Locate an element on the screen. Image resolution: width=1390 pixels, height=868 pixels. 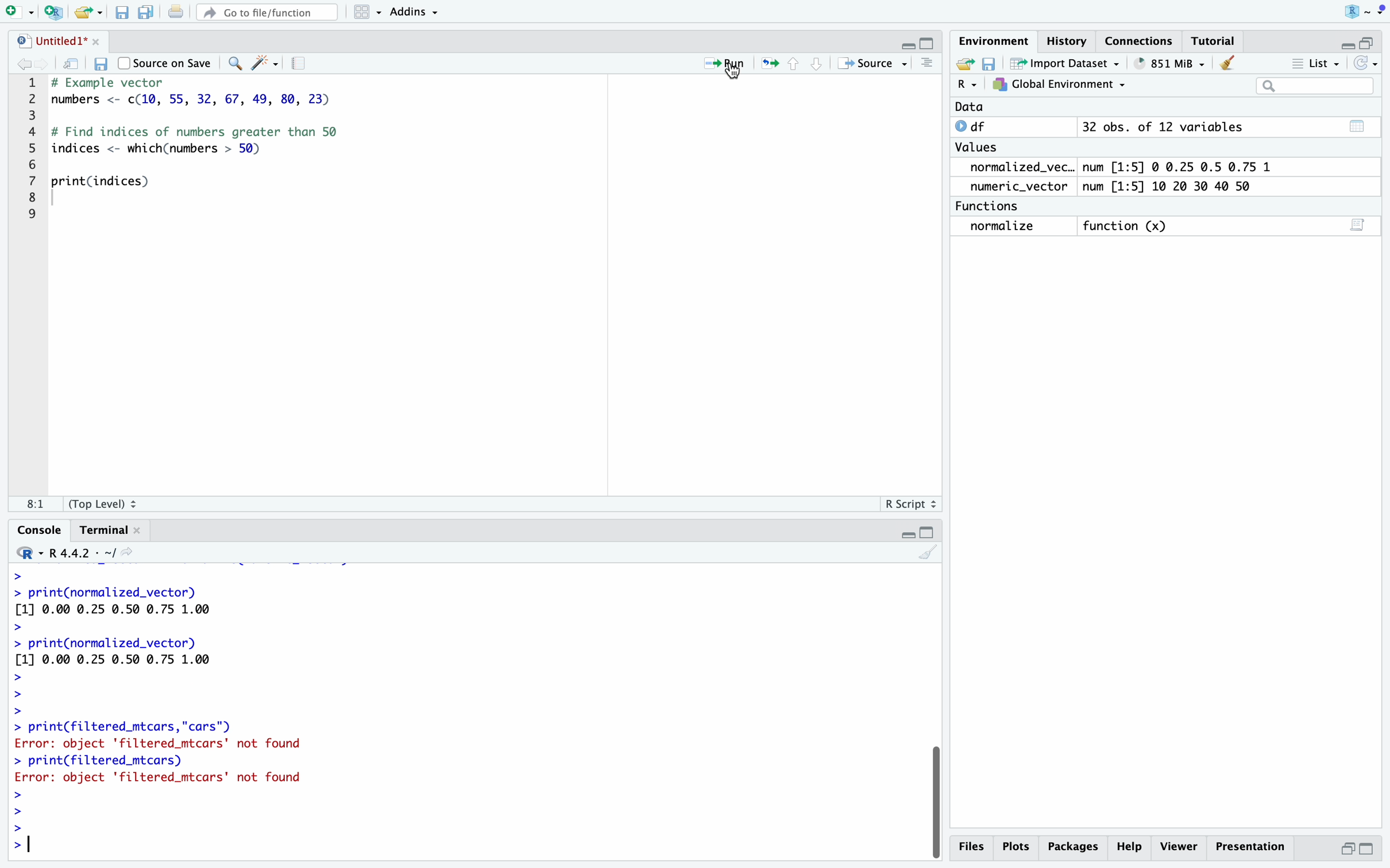
MENU is located at coordinates (926, 64).